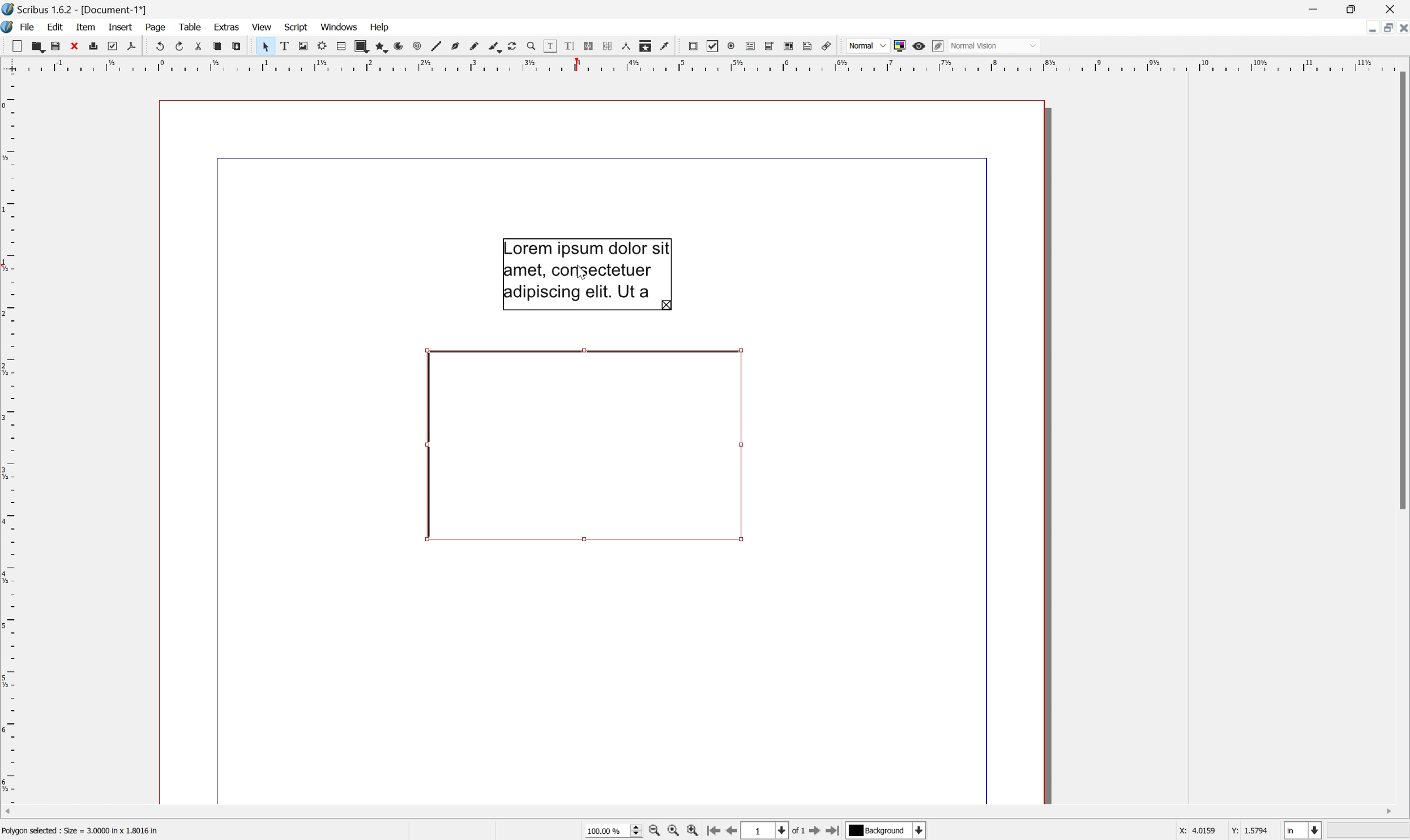  Describe the element at coordinates (836, 831) in the screenshot. I see `Go to the last page` at that location.